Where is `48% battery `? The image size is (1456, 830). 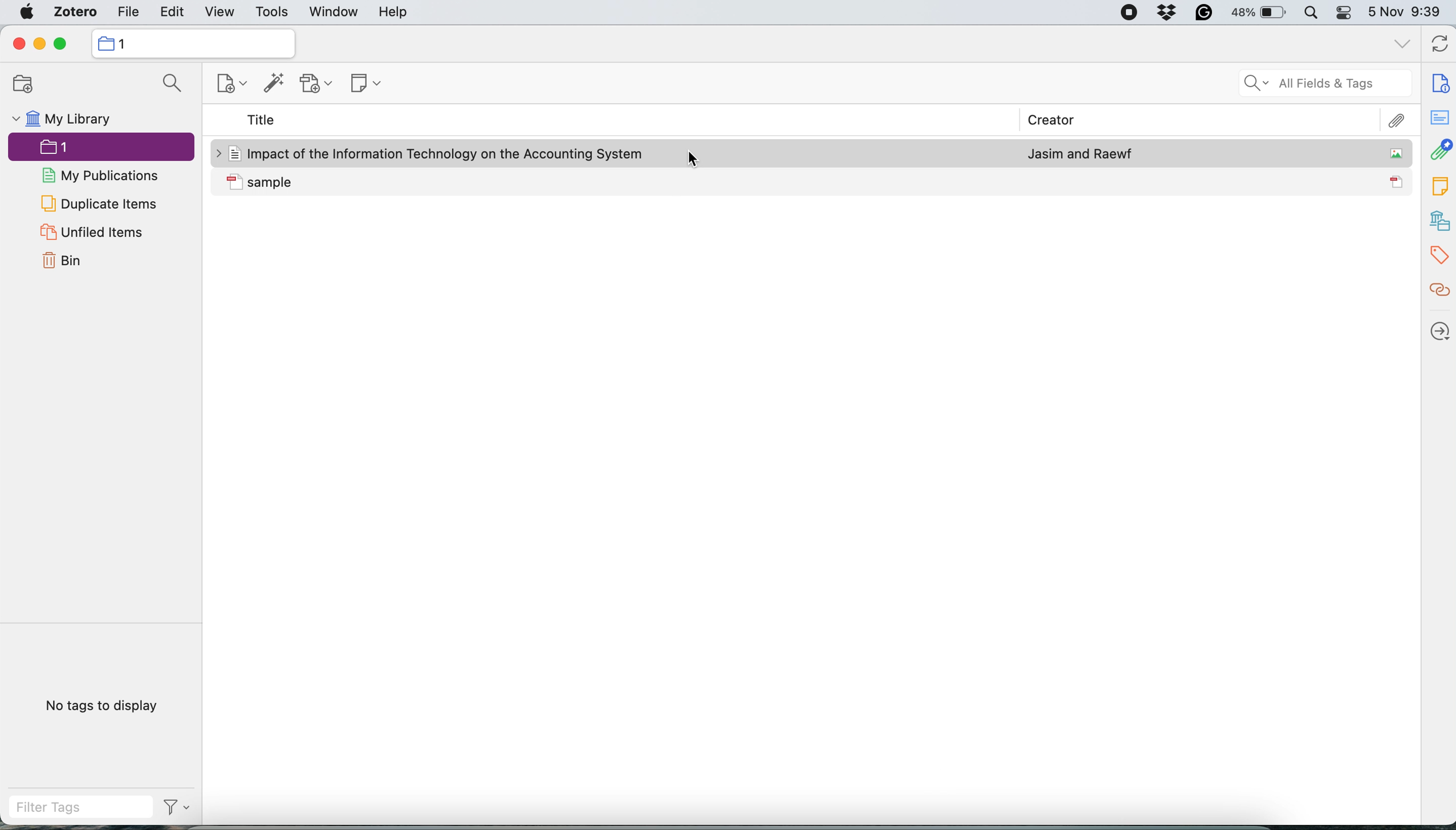
48% battery  is located at coordinates (1260, 13).